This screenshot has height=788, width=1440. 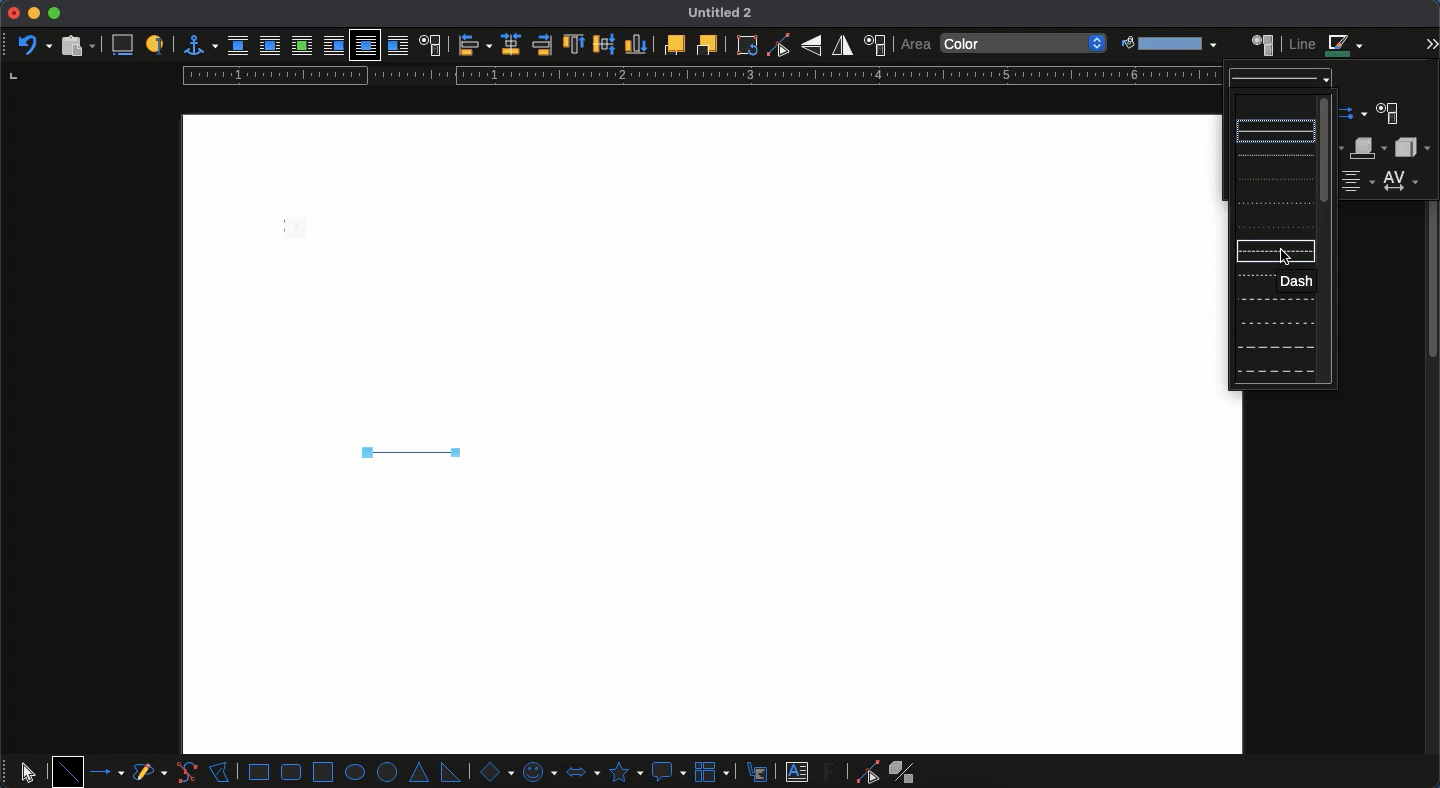 I want to click on text wrap, so click(x=429, y=44).